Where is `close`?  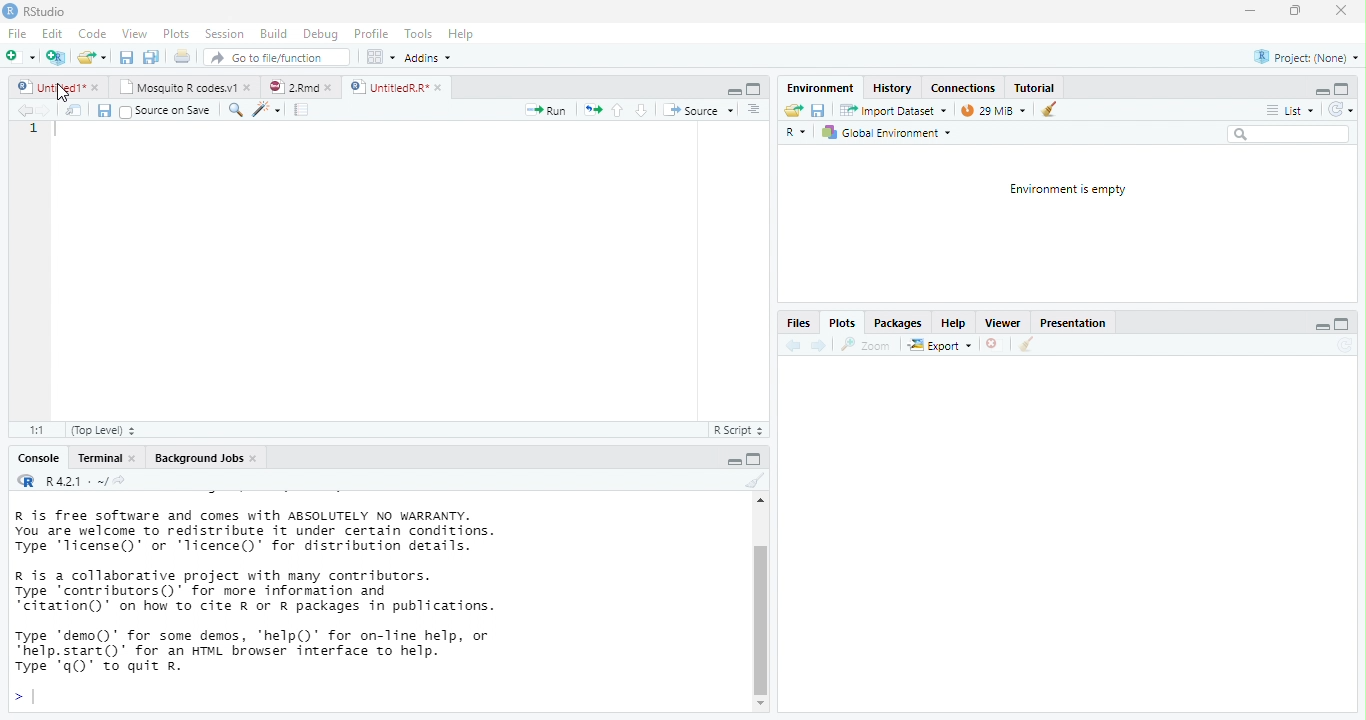 close is located at coordinates (97, 88).